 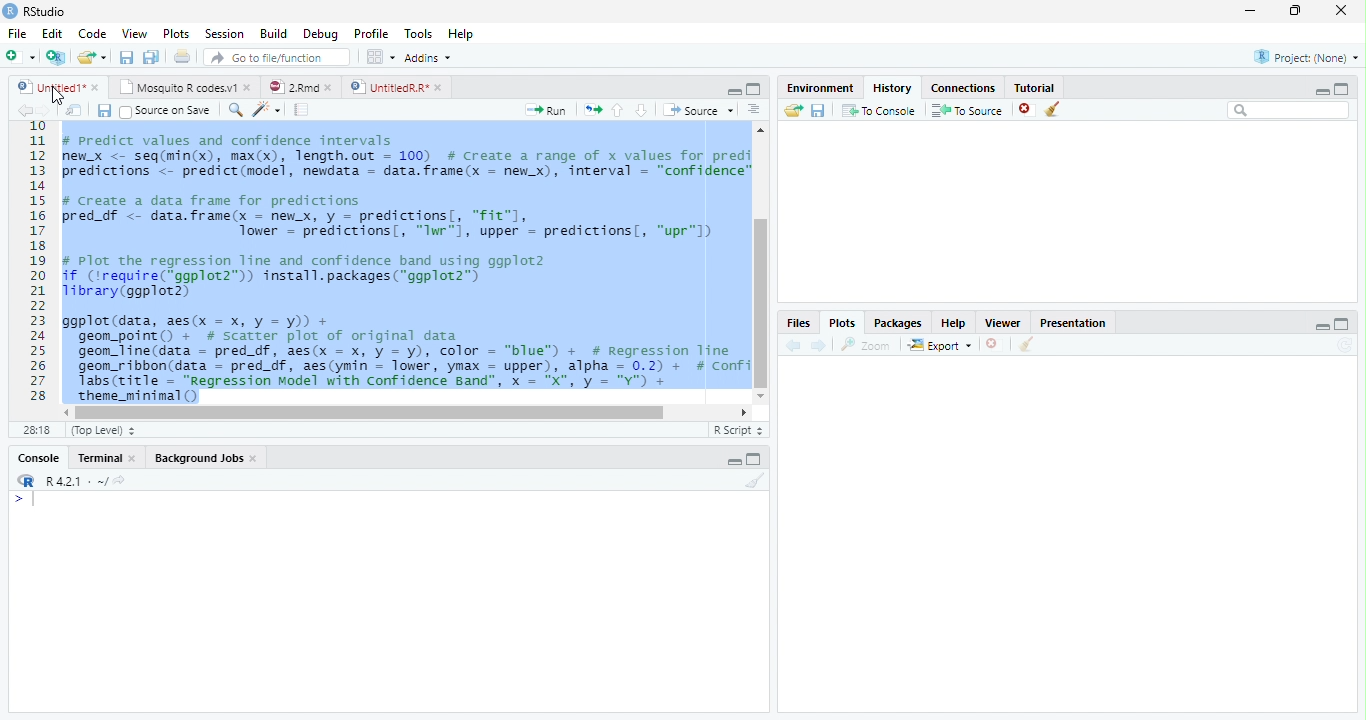 What do you see at coordinates (964, 112) in the screenshot?
I see `To Source` at bounding box center [964, 112].